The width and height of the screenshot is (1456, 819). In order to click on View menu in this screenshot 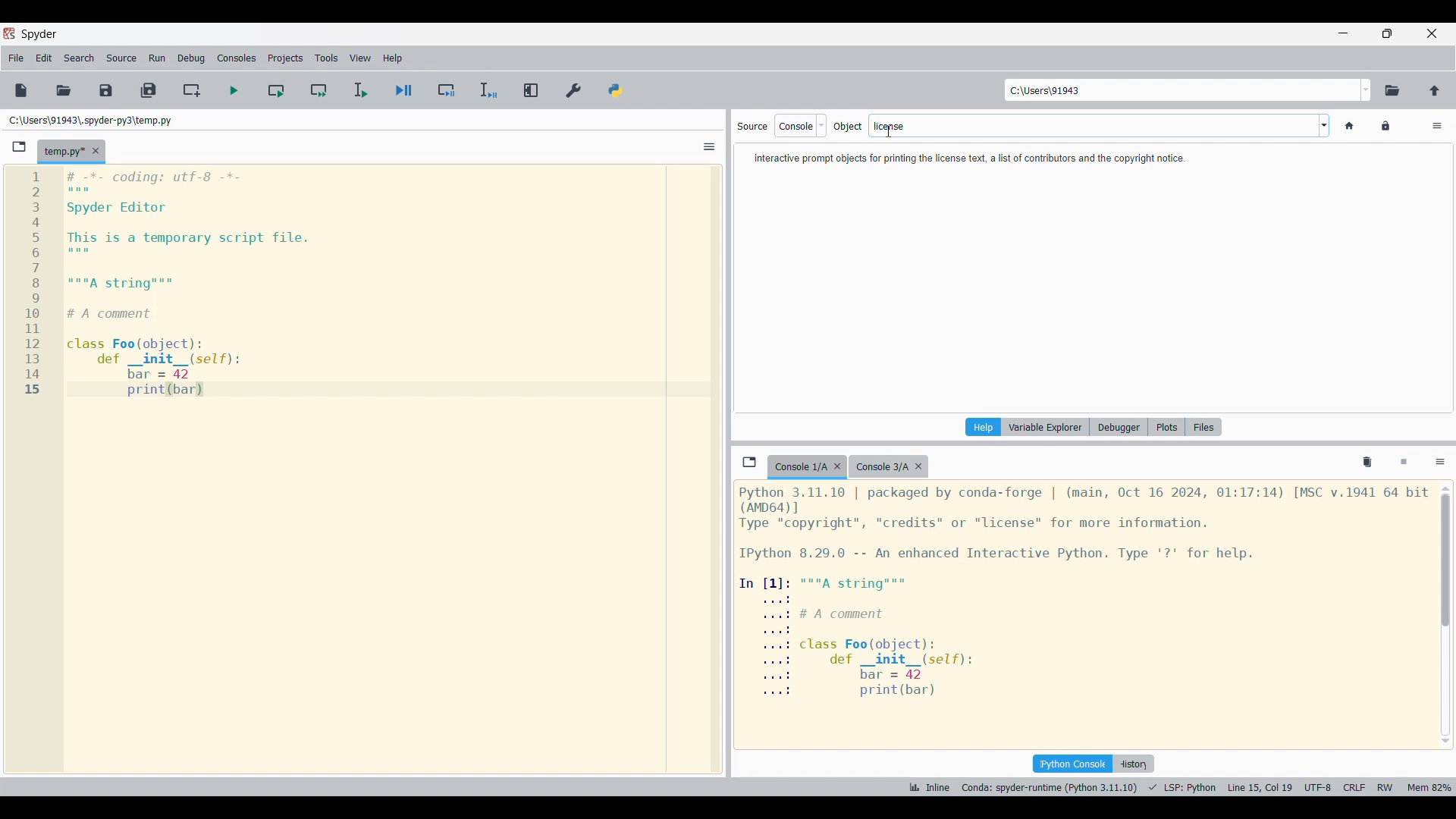, I will do `click(361, 58)`.